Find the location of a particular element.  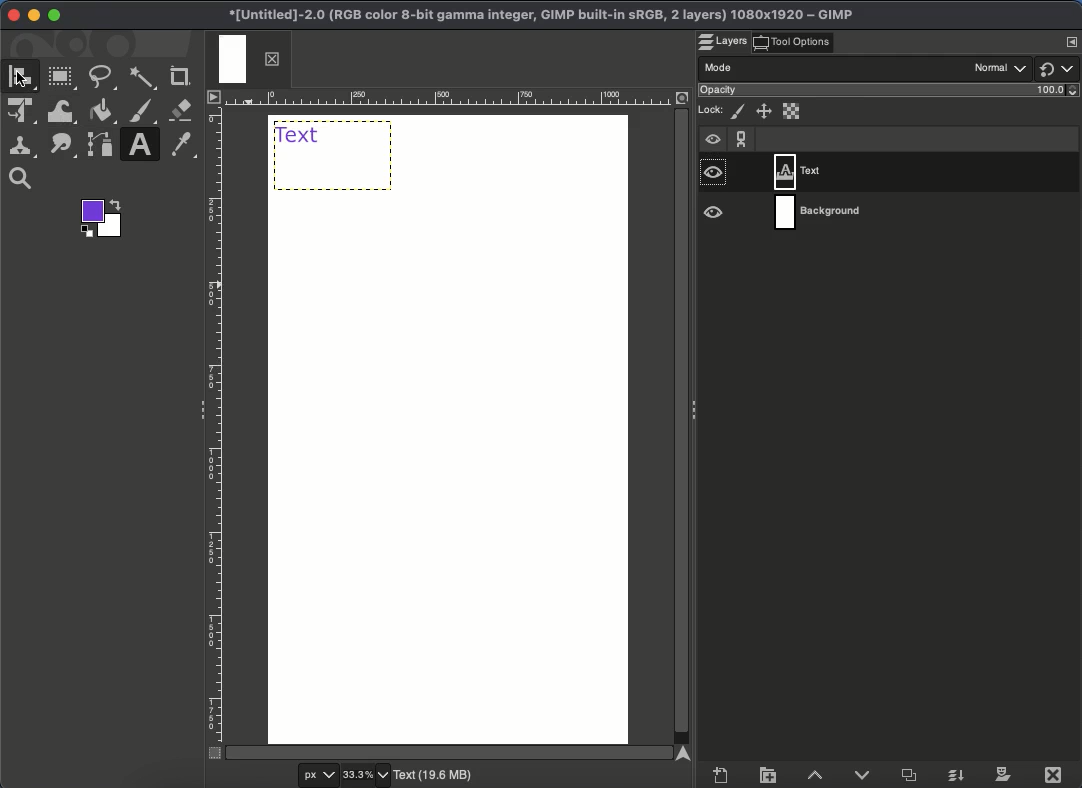

Ruler is located at coordinates (214, 423).